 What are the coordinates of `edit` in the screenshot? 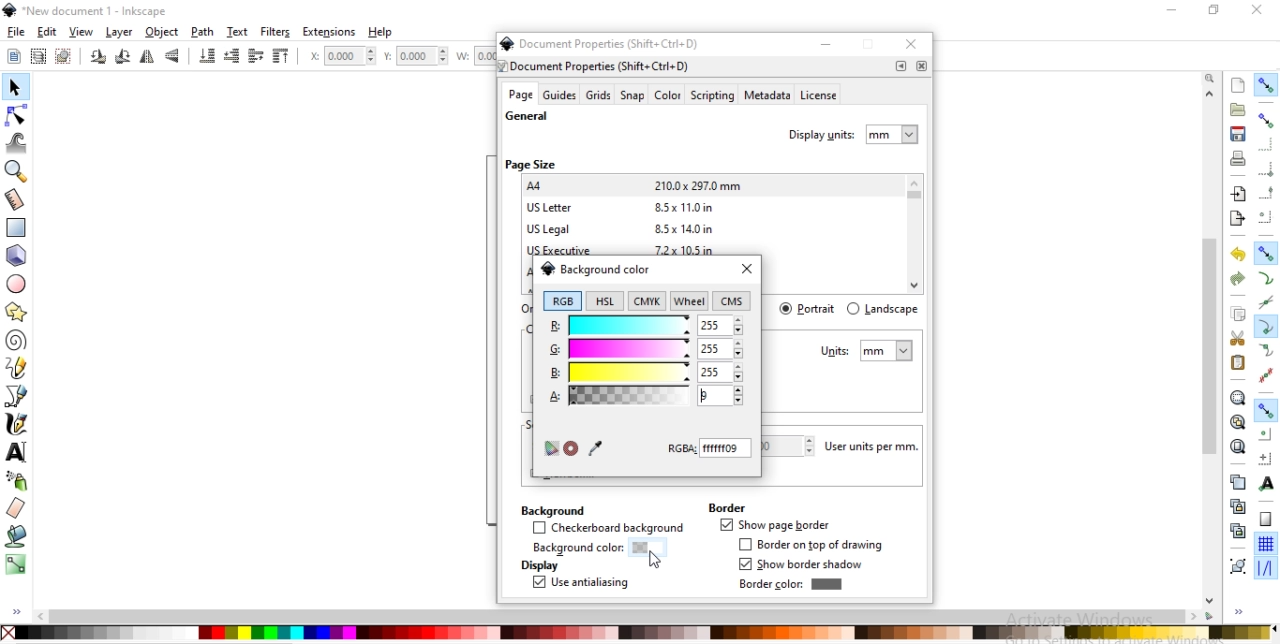 It's located at (46, 32).